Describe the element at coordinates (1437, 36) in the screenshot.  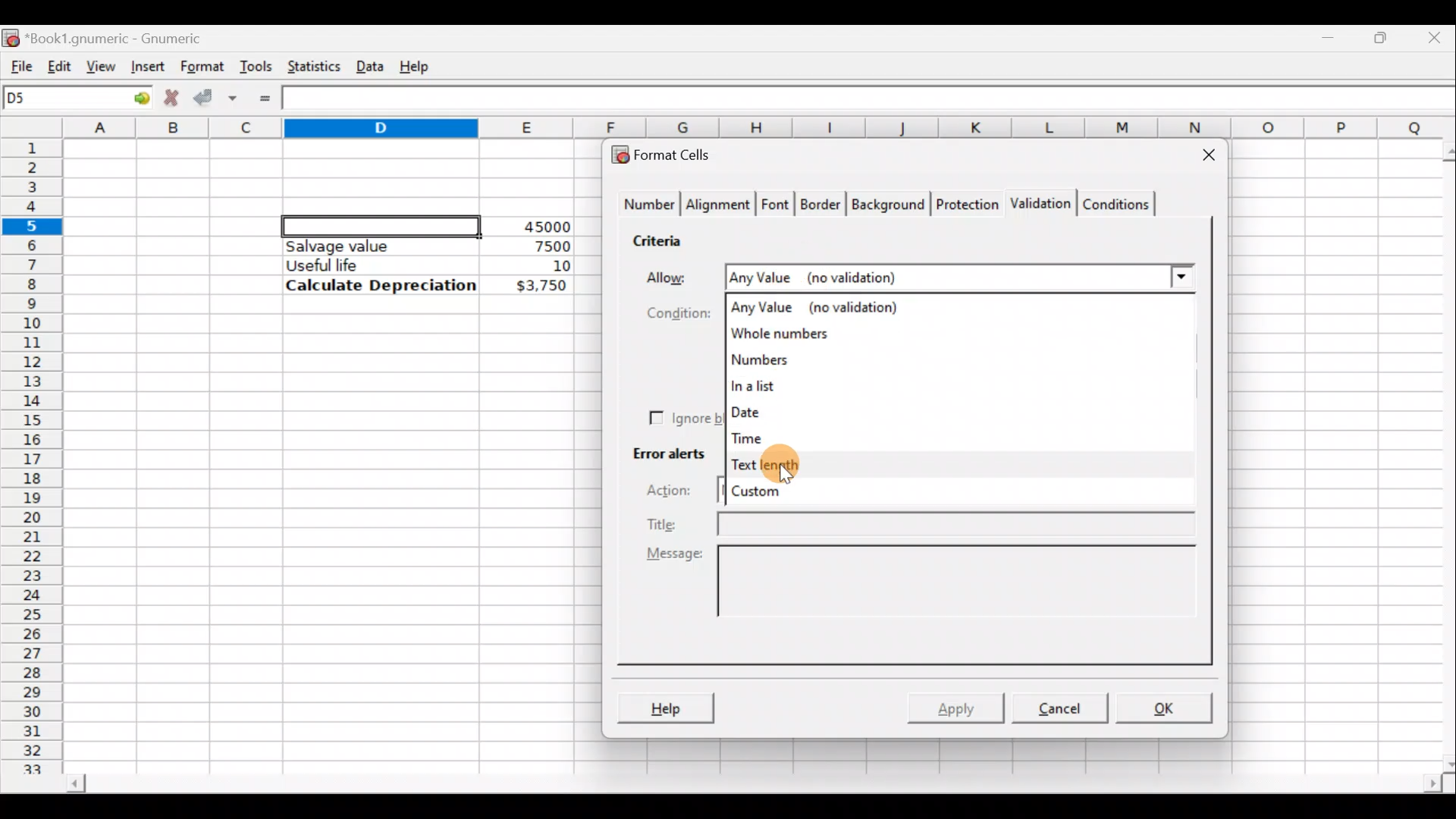
I see `Close` at that location.